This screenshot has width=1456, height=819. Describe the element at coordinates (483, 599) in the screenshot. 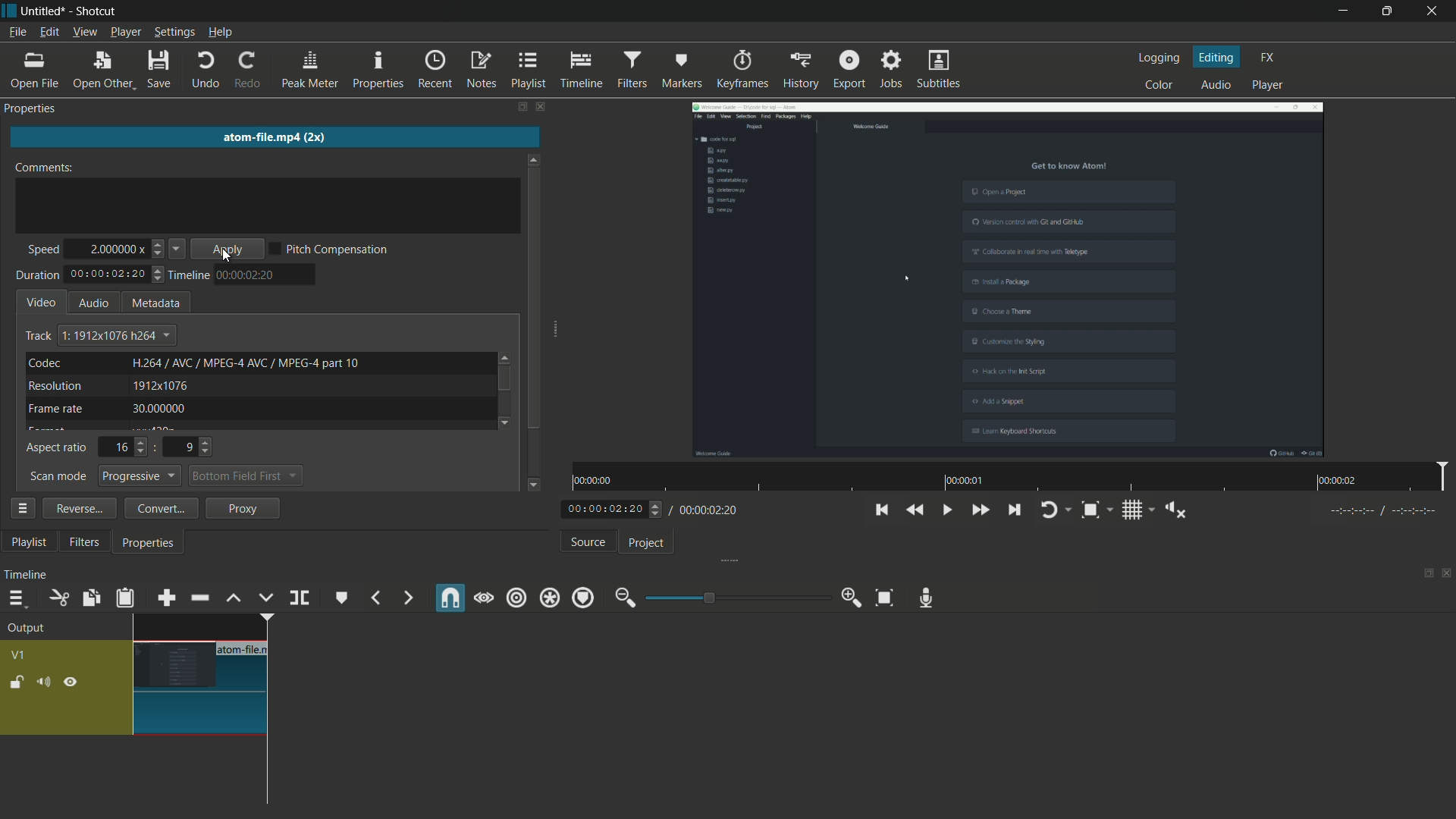

I see `scrub while dragging` at that location.